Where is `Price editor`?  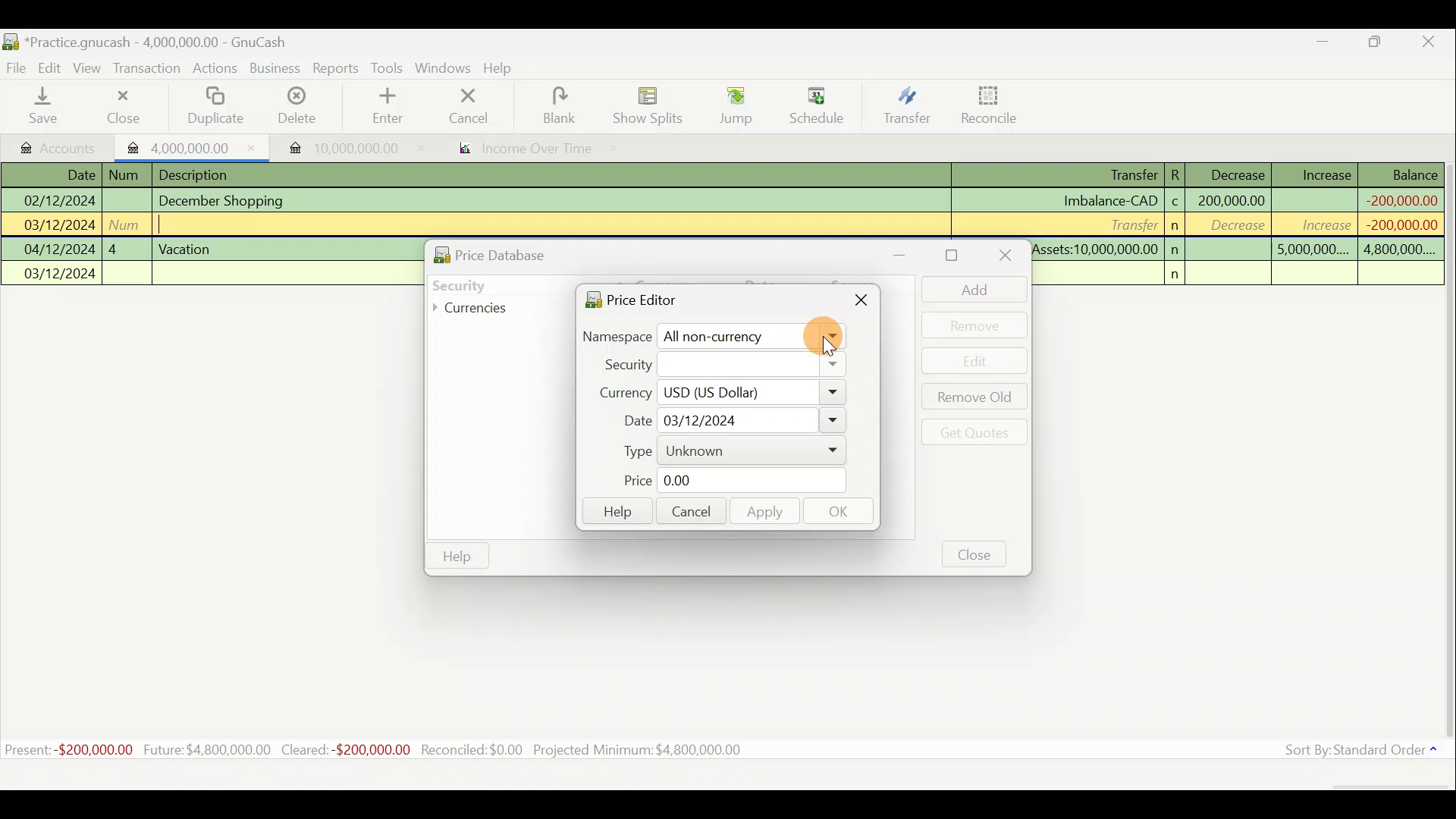
Price editor is located at coordinates (626, 299).